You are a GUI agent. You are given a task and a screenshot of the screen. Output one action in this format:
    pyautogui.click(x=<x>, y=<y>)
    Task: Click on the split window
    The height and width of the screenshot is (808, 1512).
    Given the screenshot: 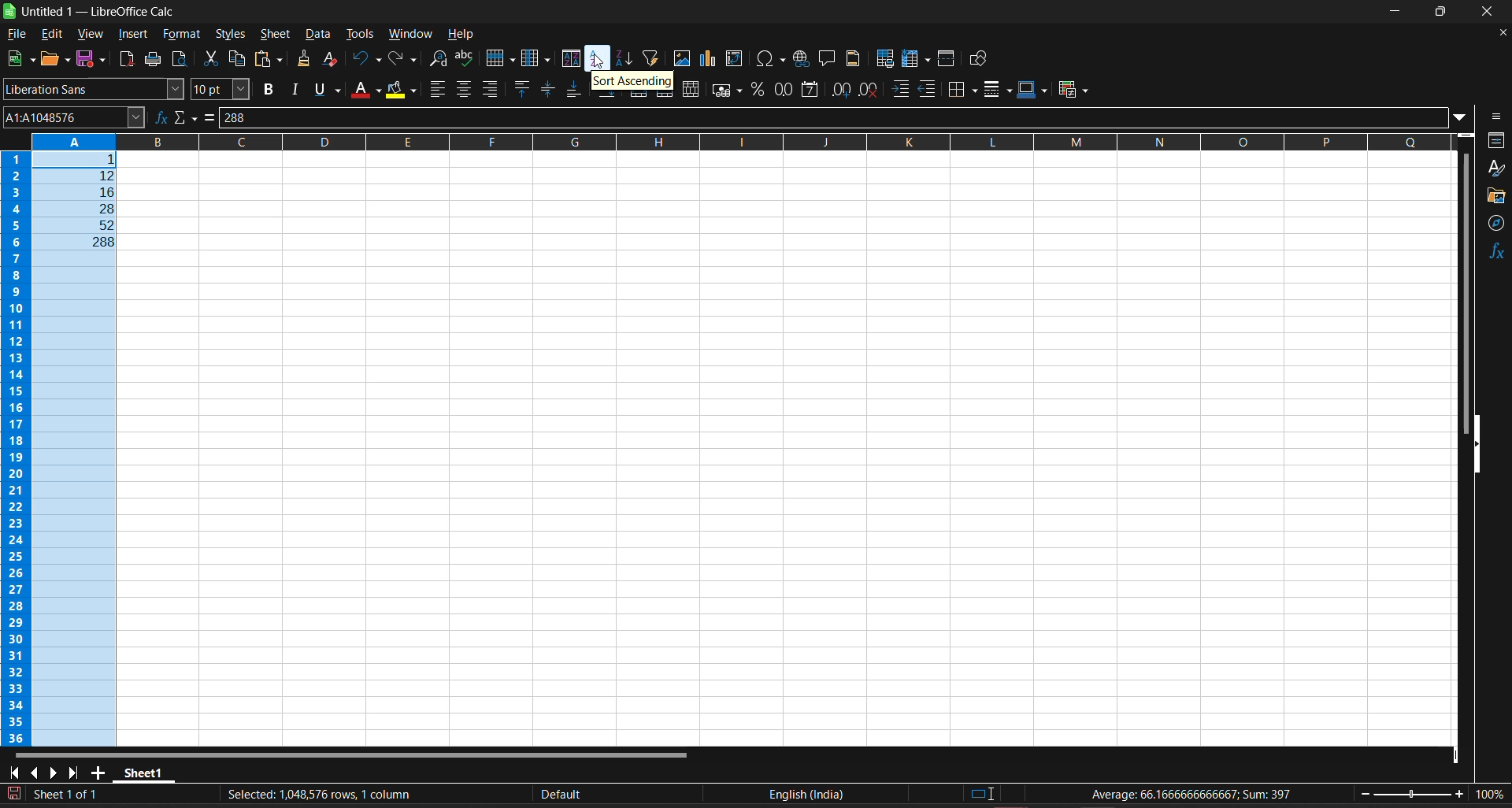 What is the action you would take?
    pyautogui.click(x=947, y=59)
    